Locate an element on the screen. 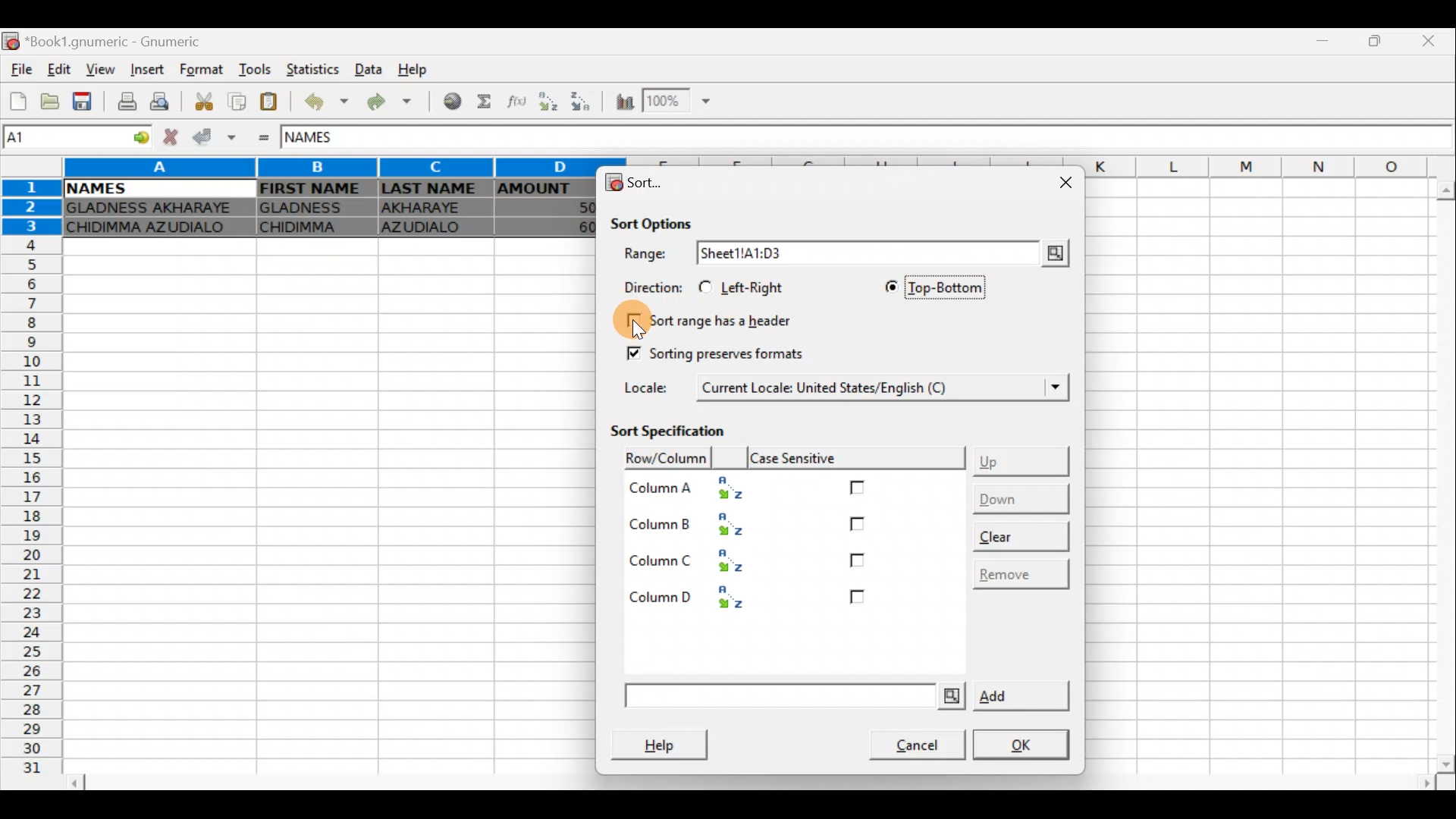  Cancel is located at coordinates (908, 742).